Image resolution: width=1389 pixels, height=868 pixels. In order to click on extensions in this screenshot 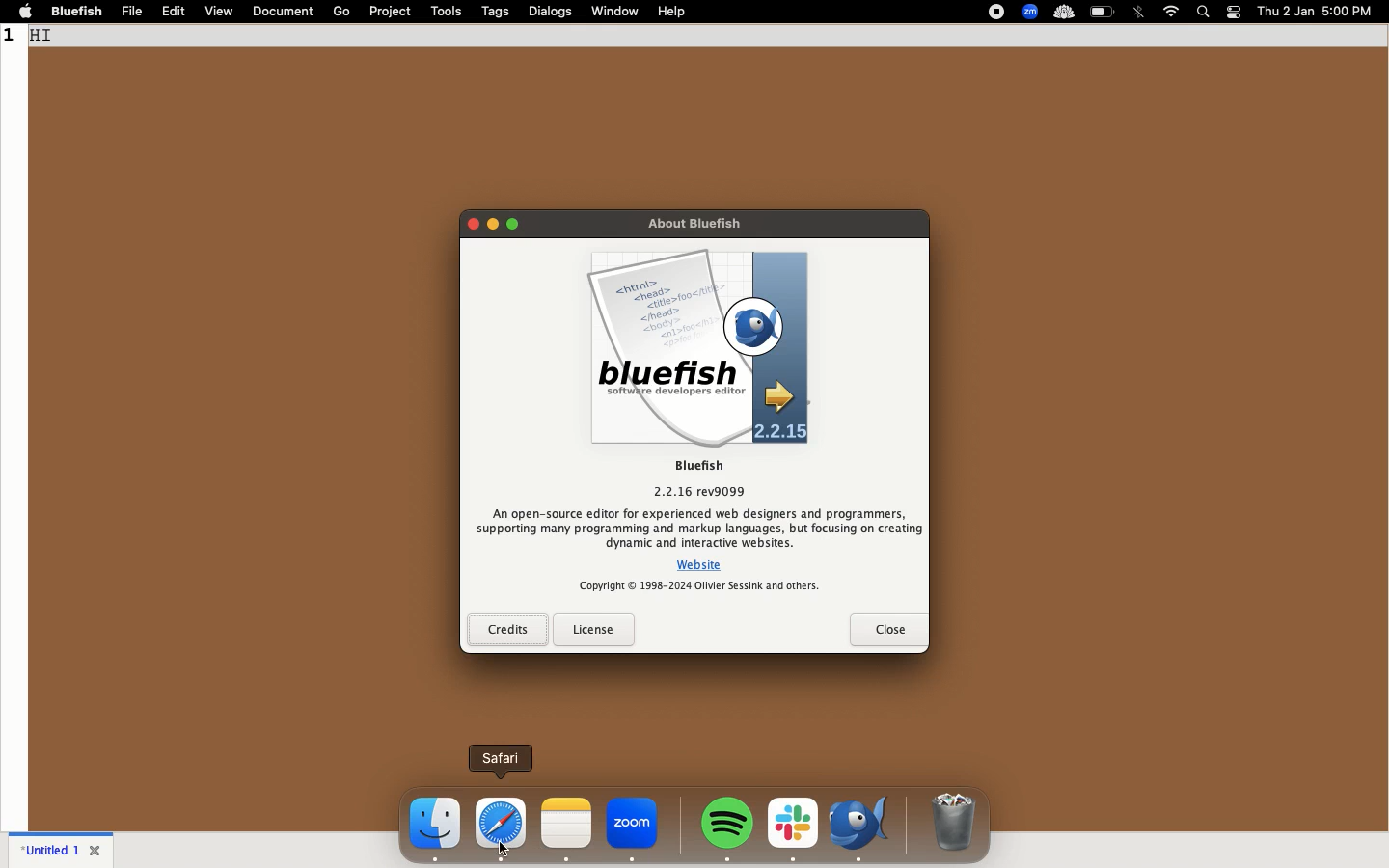, I will do `click(1032, 14)`.